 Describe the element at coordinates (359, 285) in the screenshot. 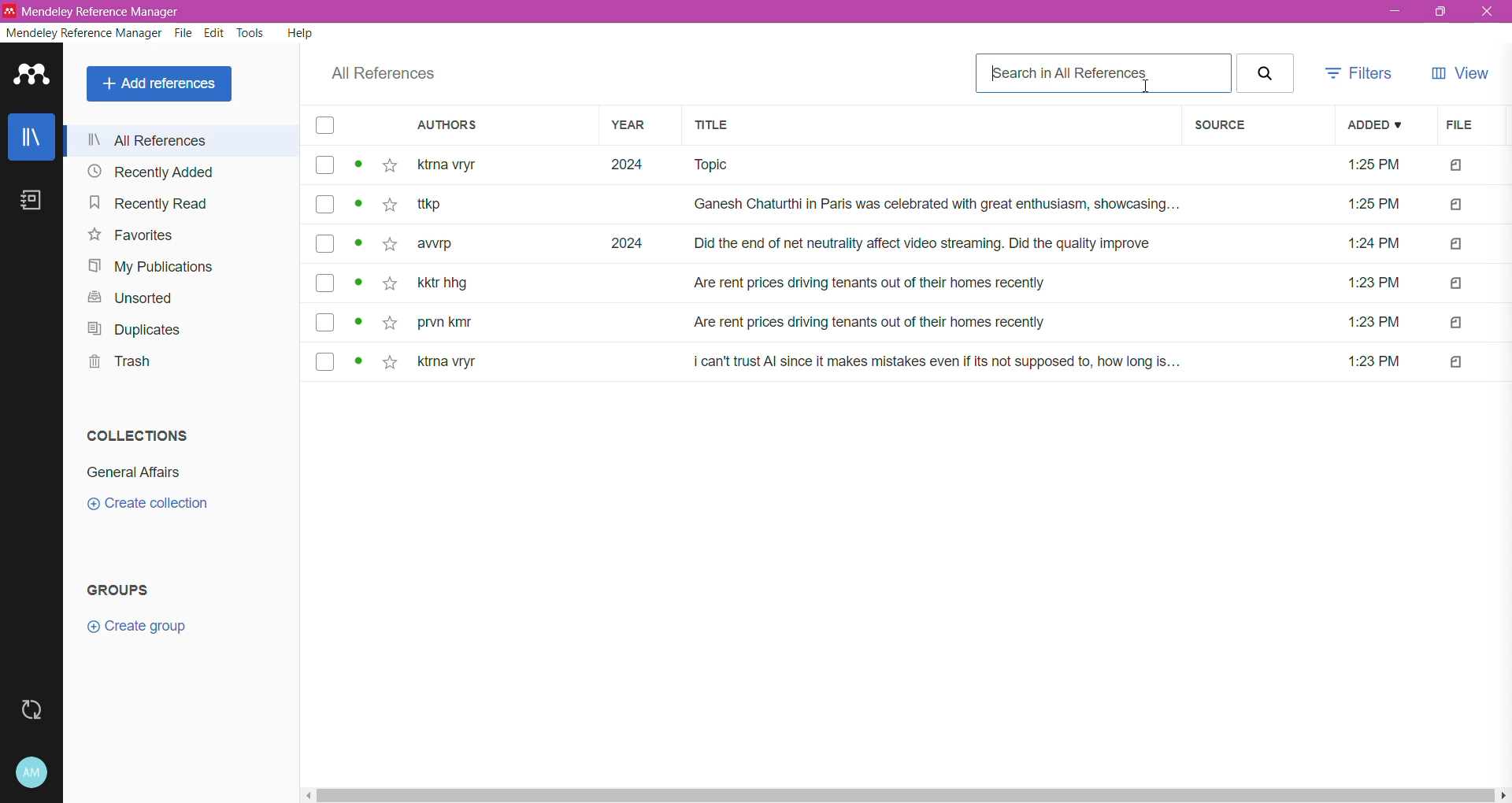

I see `view status of the file` at that location.